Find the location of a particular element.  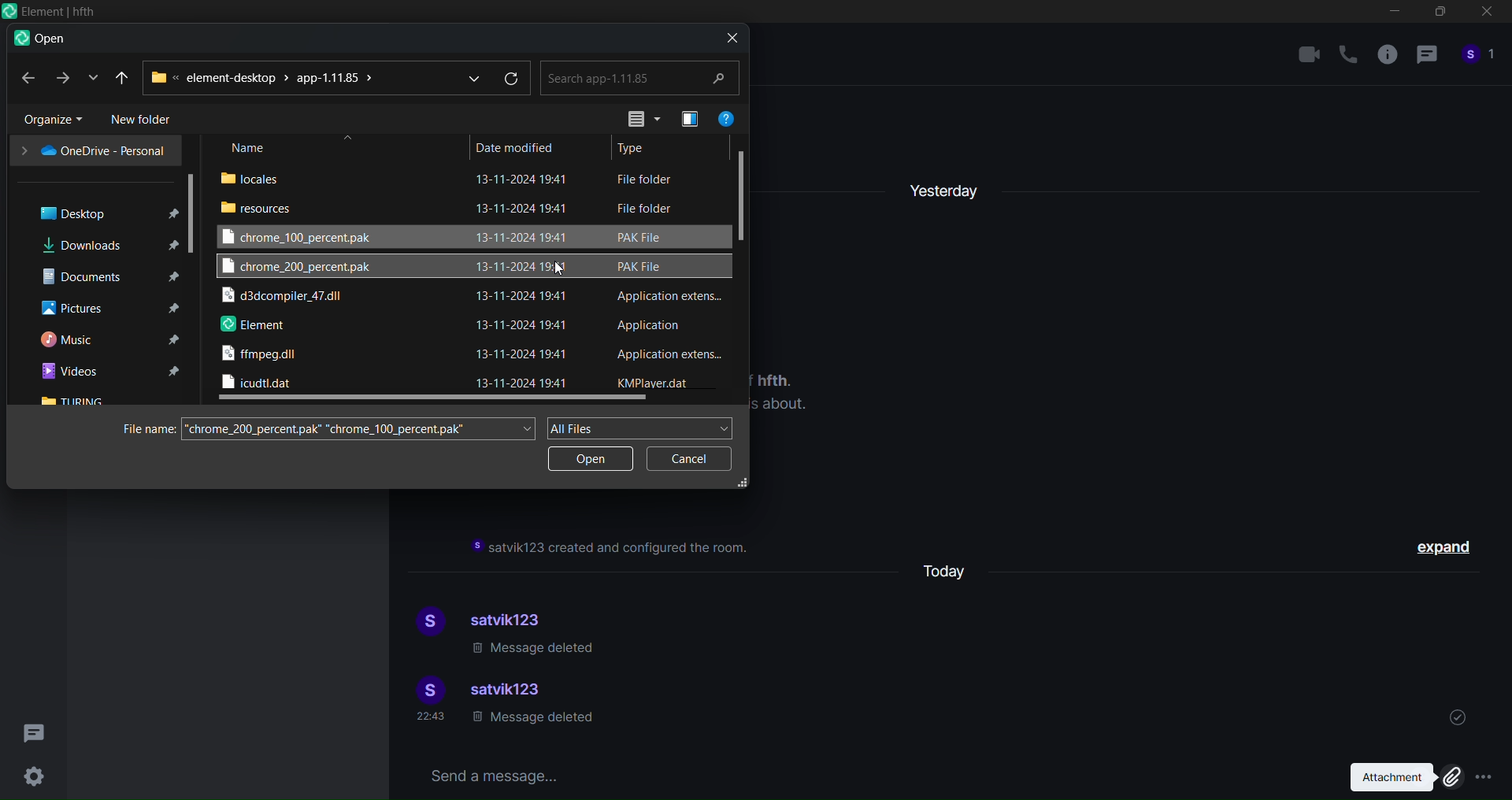

send a message is located at coordinates (862, 774).